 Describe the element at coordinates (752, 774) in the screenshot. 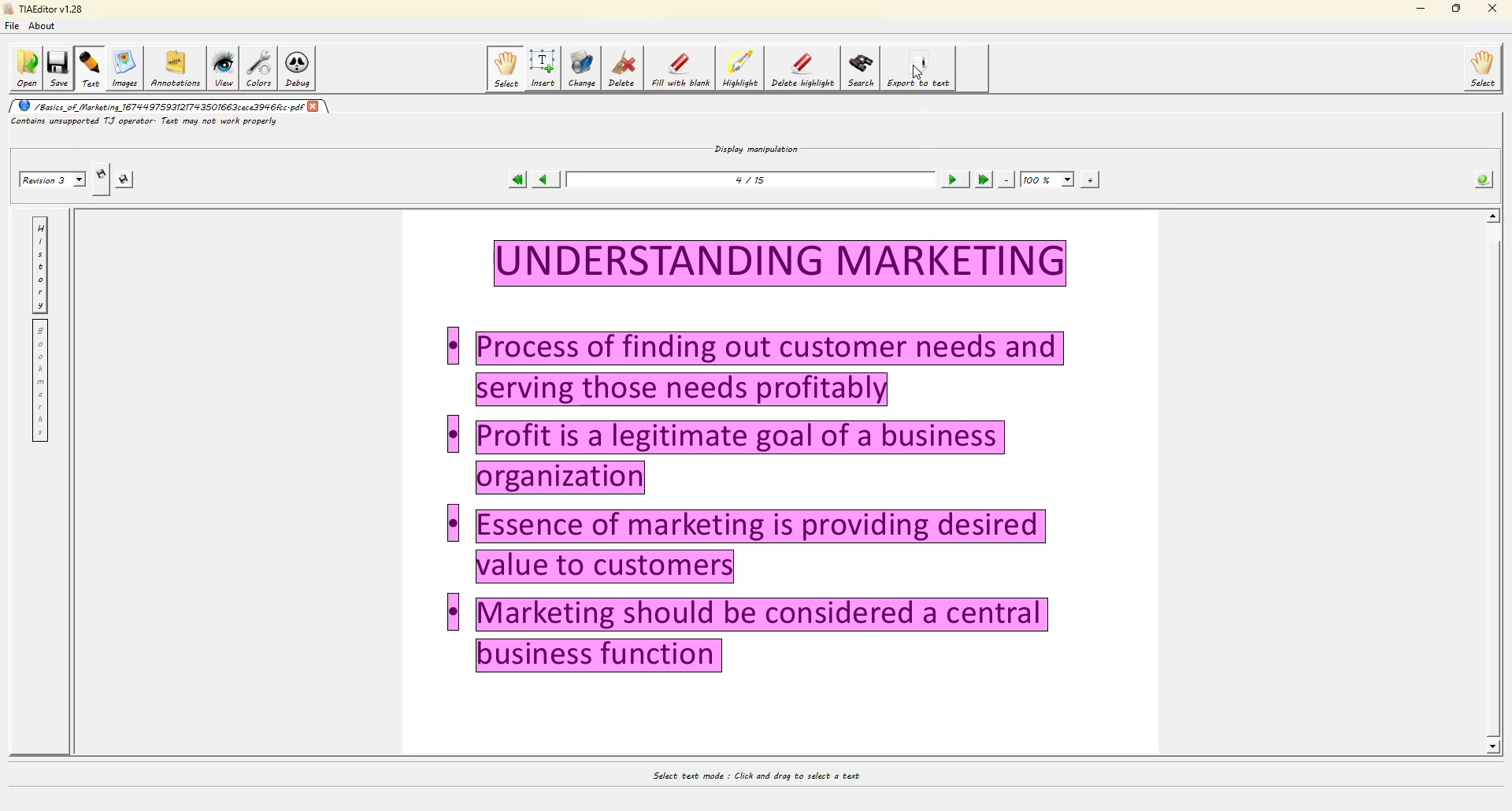

I see `select text` at that location.